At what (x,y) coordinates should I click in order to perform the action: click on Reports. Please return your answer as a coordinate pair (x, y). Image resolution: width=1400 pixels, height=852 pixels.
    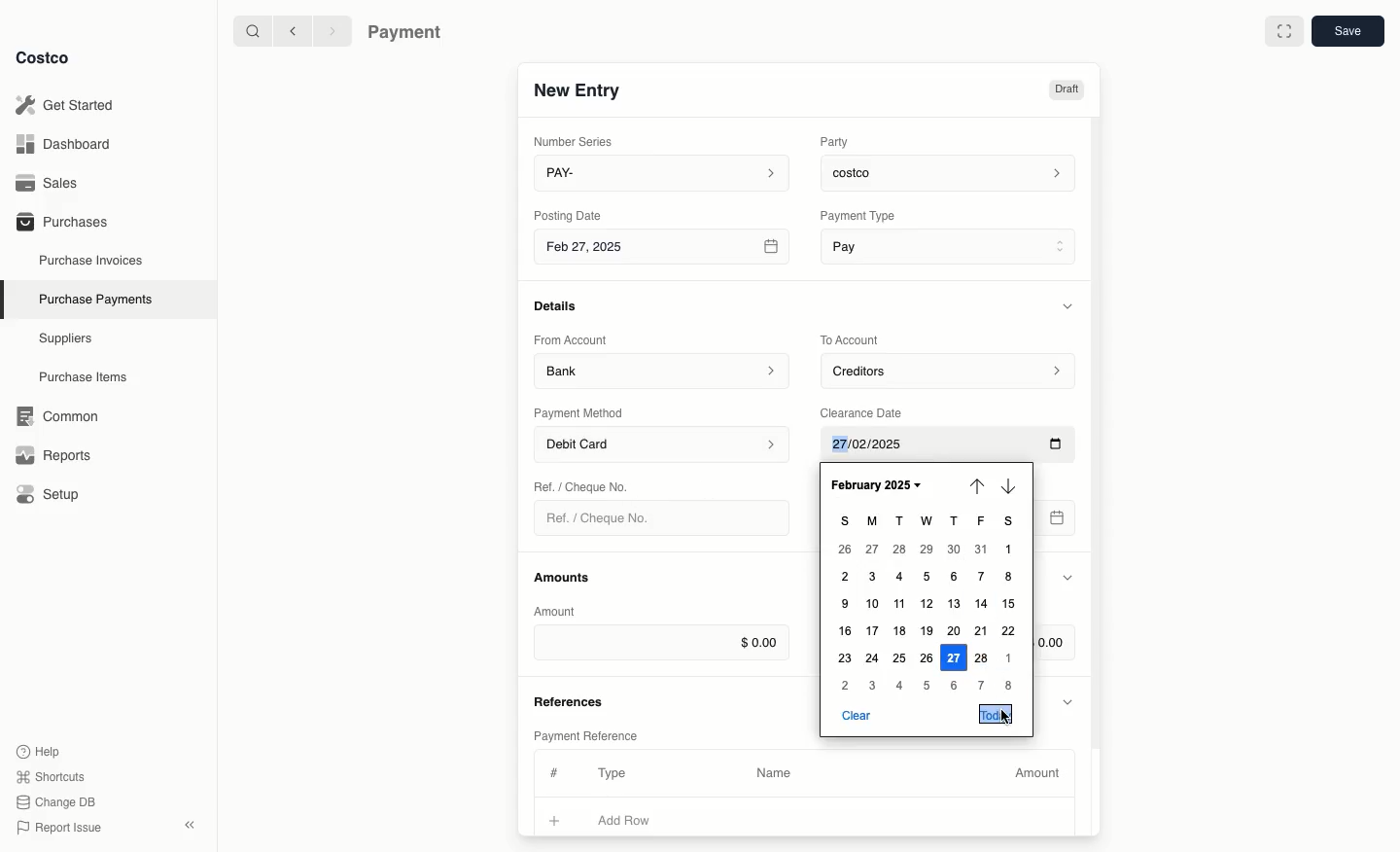
    Looking at the image, I should click on (51, 452).